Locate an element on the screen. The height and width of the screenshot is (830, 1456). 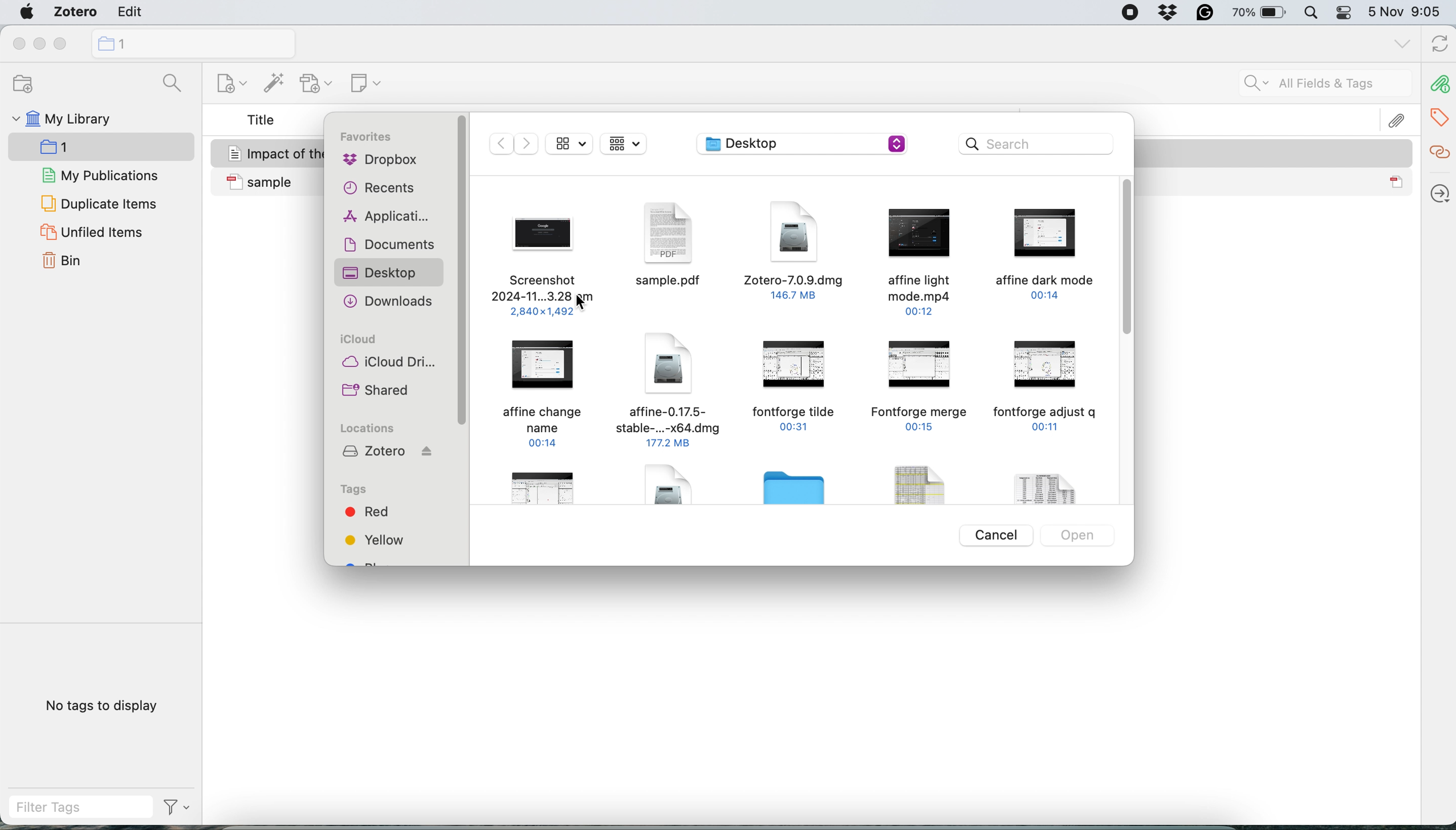
my library is located at coordinates (60, 121).